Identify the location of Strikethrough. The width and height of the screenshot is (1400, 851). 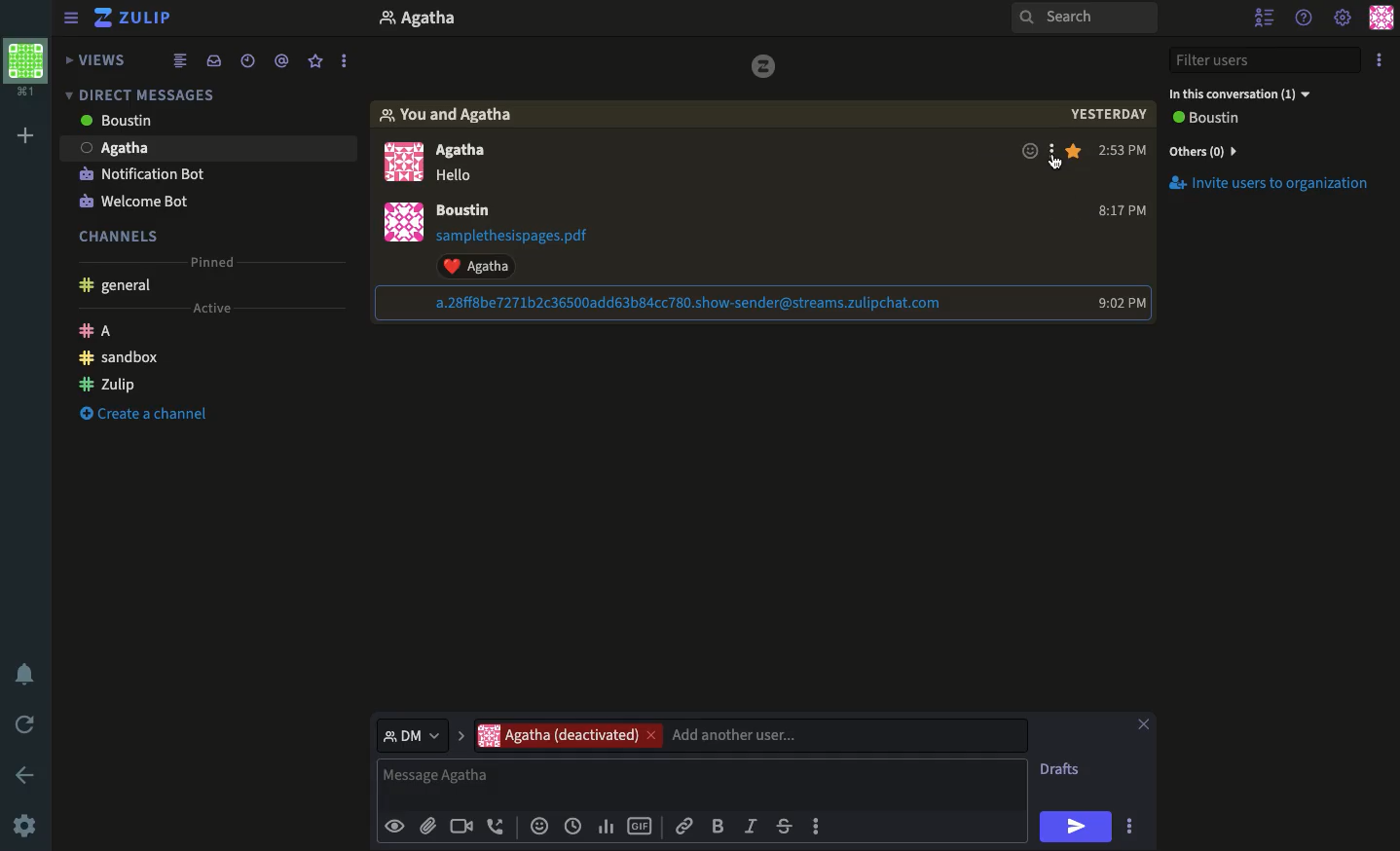
(784, 826).